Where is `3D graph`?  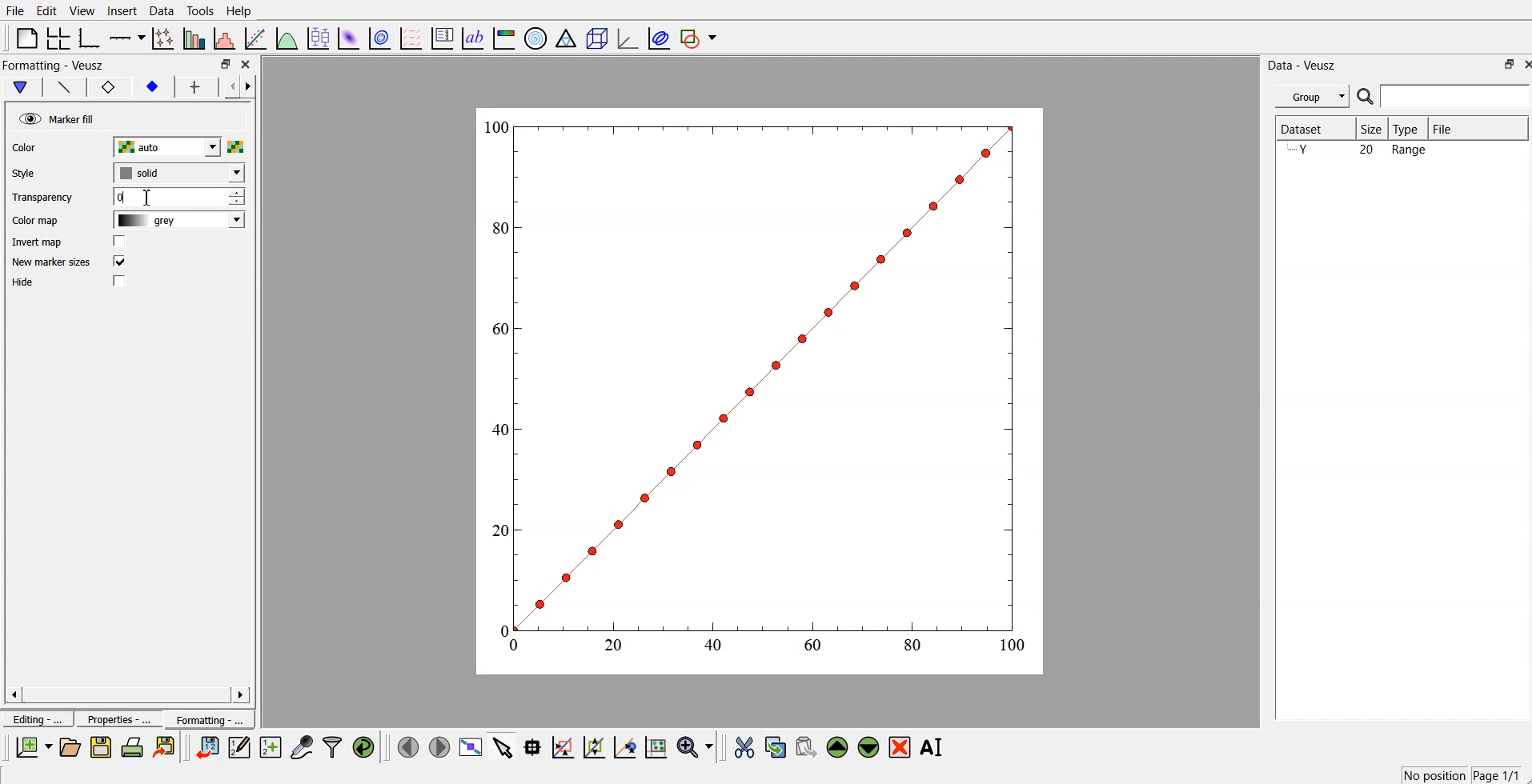 3D graph is located at coordinates (626, 38).